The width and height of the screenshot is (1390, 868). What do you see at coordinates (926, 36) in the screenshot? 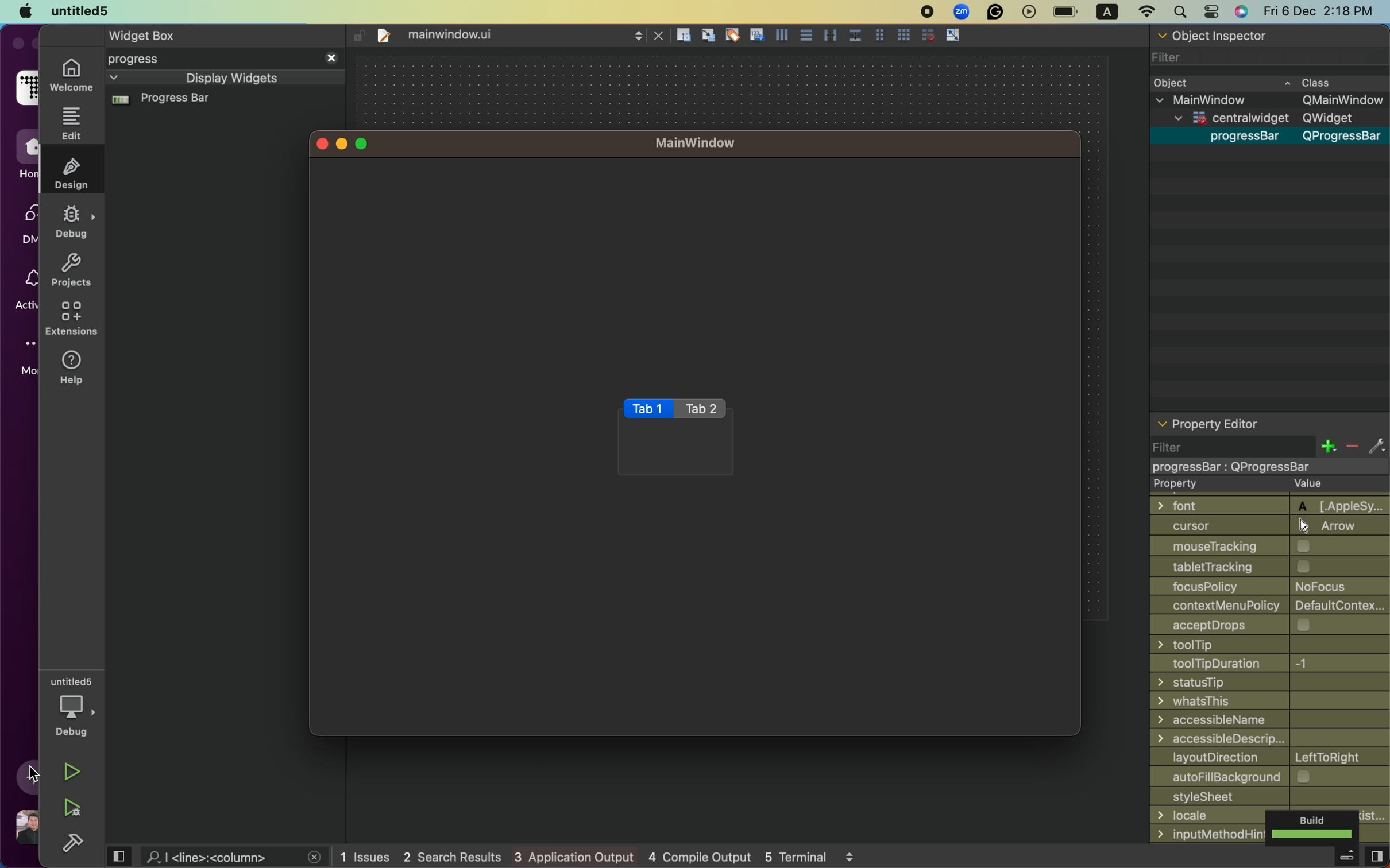
I see `disable grid snap` at bounding box center [926, 36].